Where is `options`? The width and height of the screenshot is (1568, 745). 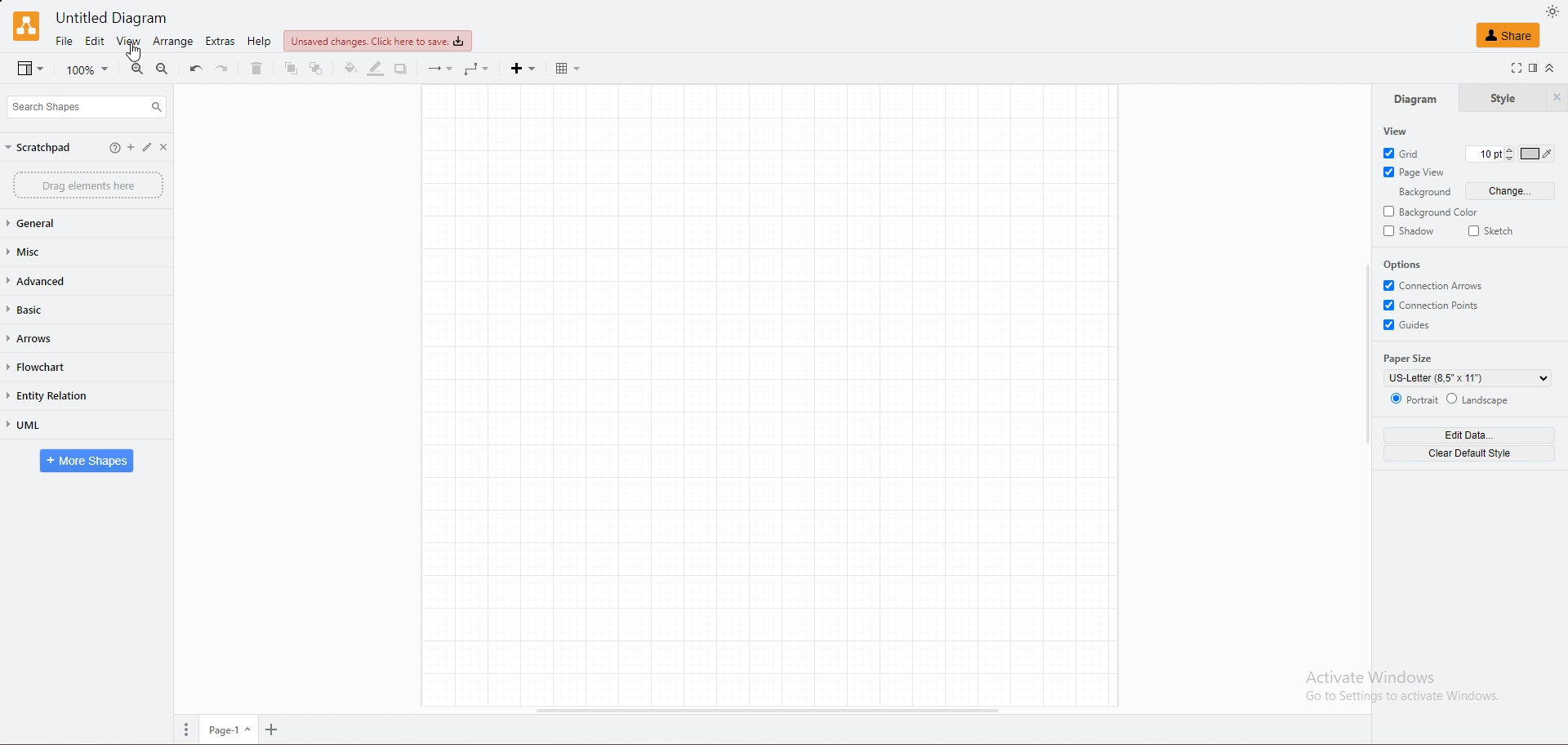
options is located at coordinates (1405, 265).